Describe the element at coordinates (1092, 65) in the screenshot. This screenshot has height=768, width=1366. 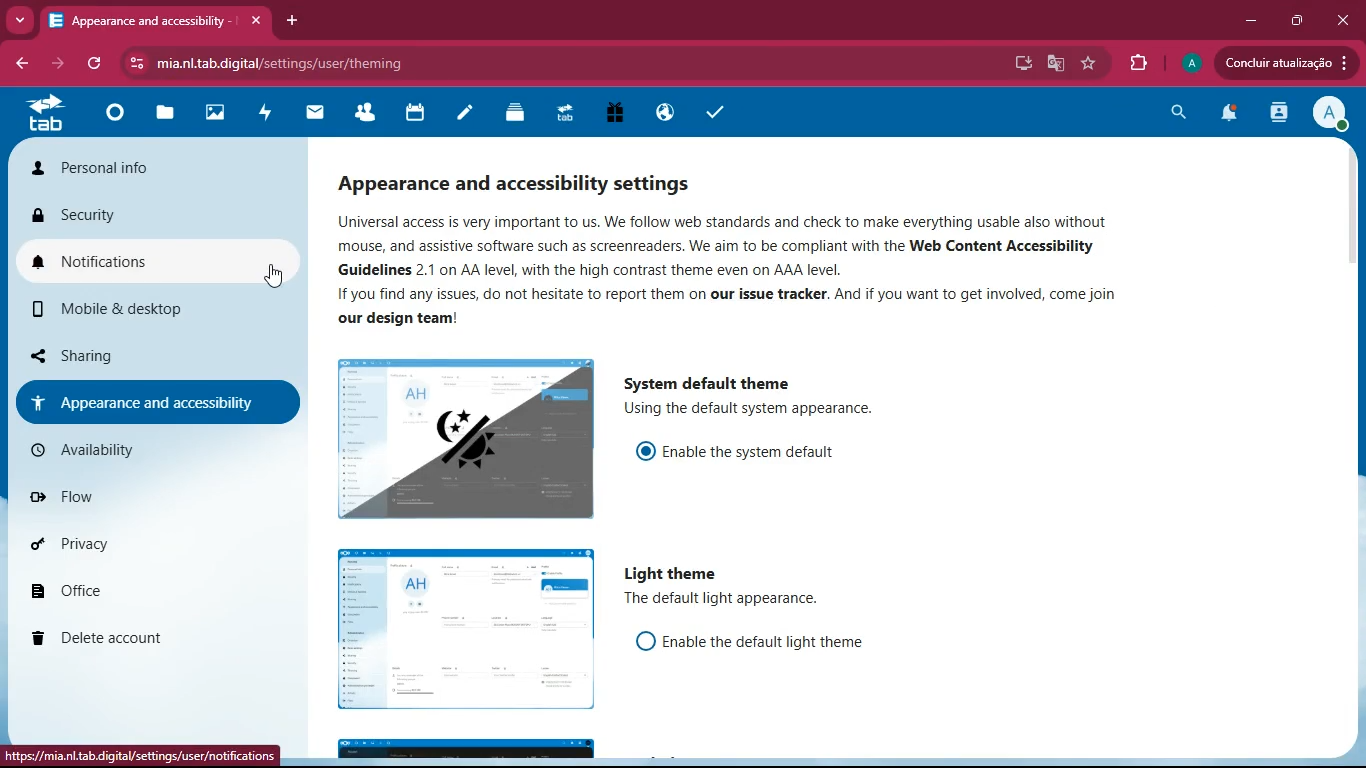
I see `favourite` at that location.